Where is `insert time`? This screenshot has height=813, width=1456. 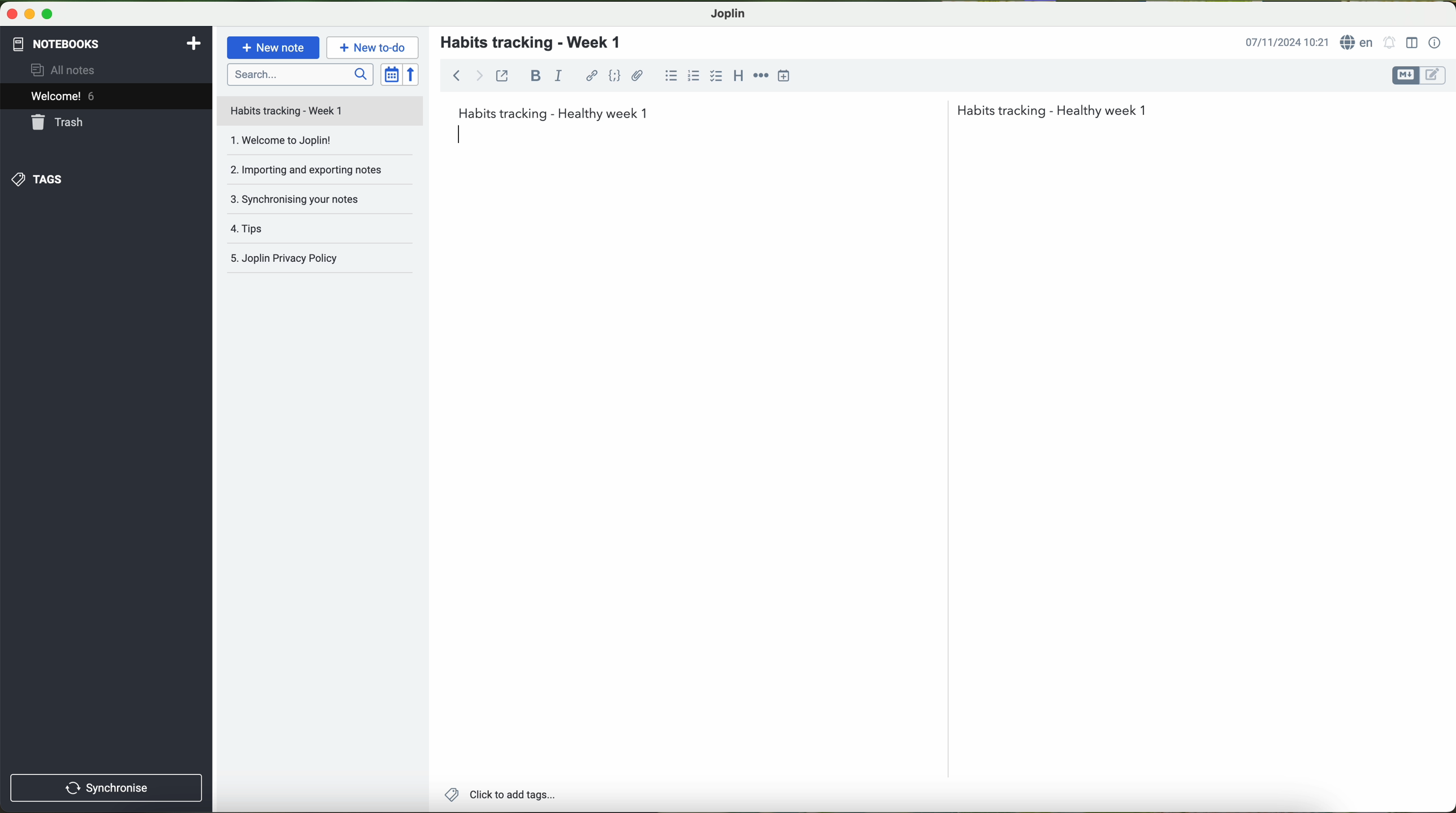
insert time is located at coordinates (784, 76).